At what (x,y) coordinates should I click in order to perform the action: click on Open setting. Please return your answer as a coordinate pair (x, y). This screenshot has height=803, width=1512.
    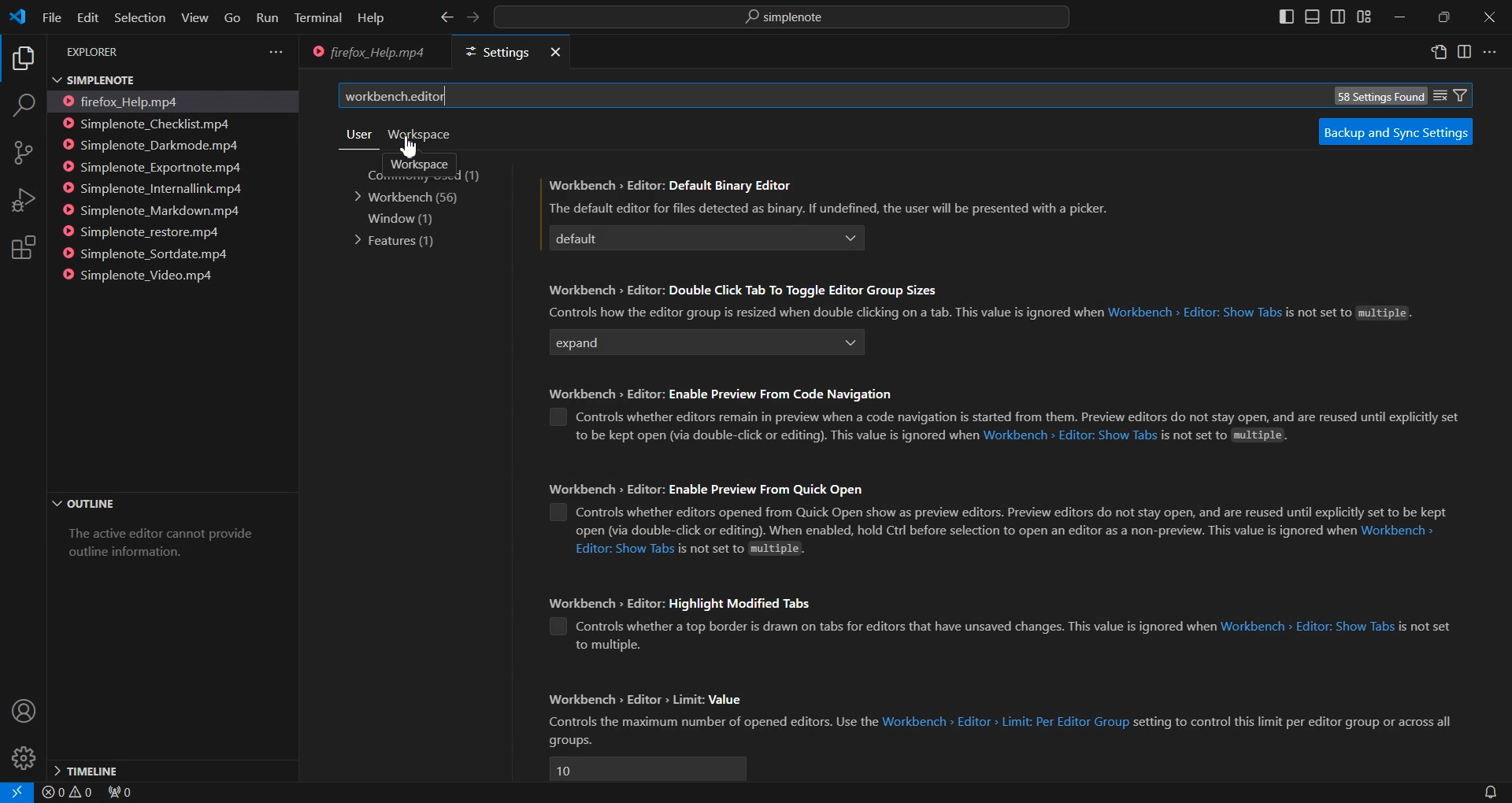
    Looking at the image, I should click on (1440, 54).